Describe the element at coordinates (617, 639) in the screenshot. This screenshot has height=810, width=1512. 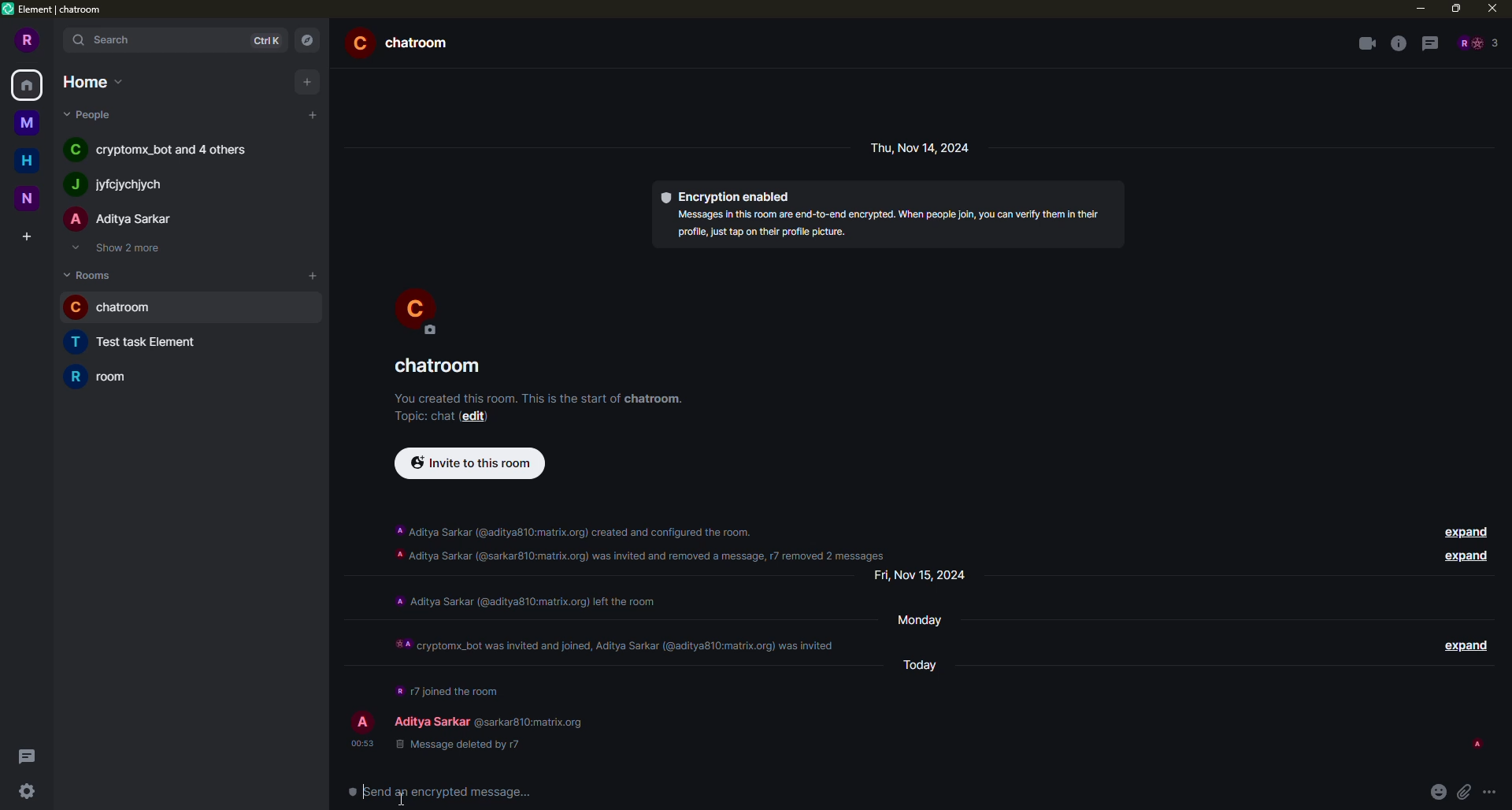
I see `info` at that location.